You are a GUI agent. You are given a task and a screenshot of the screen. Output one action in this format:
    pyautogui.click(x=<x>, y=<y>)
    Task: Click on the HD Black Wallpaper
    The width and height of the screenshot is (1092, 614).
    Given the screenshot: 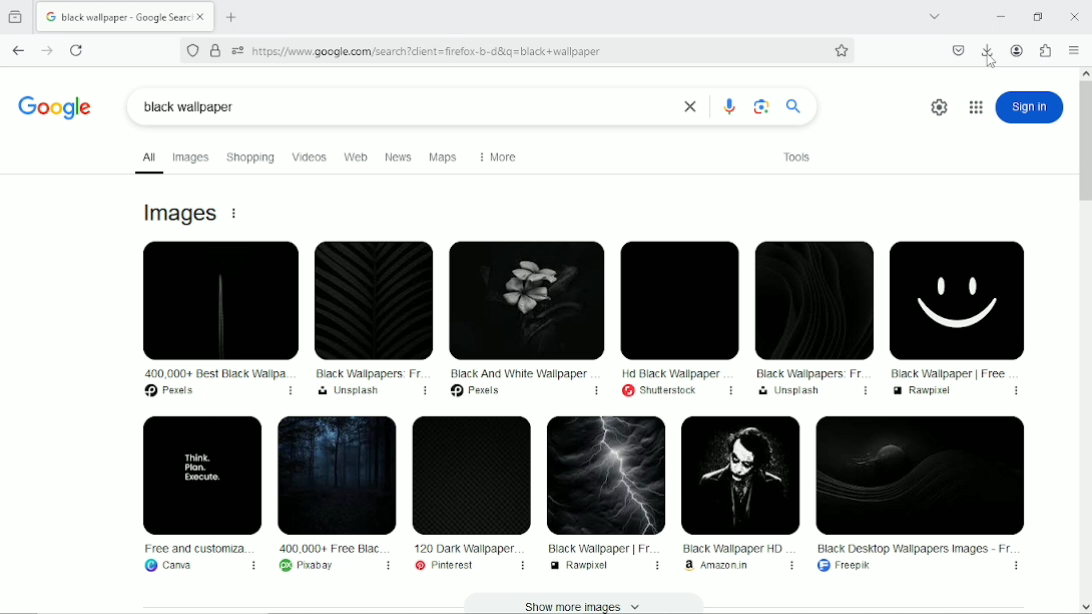 What is the action you would take?
    pyautogui.click(x=678, y=318)
    